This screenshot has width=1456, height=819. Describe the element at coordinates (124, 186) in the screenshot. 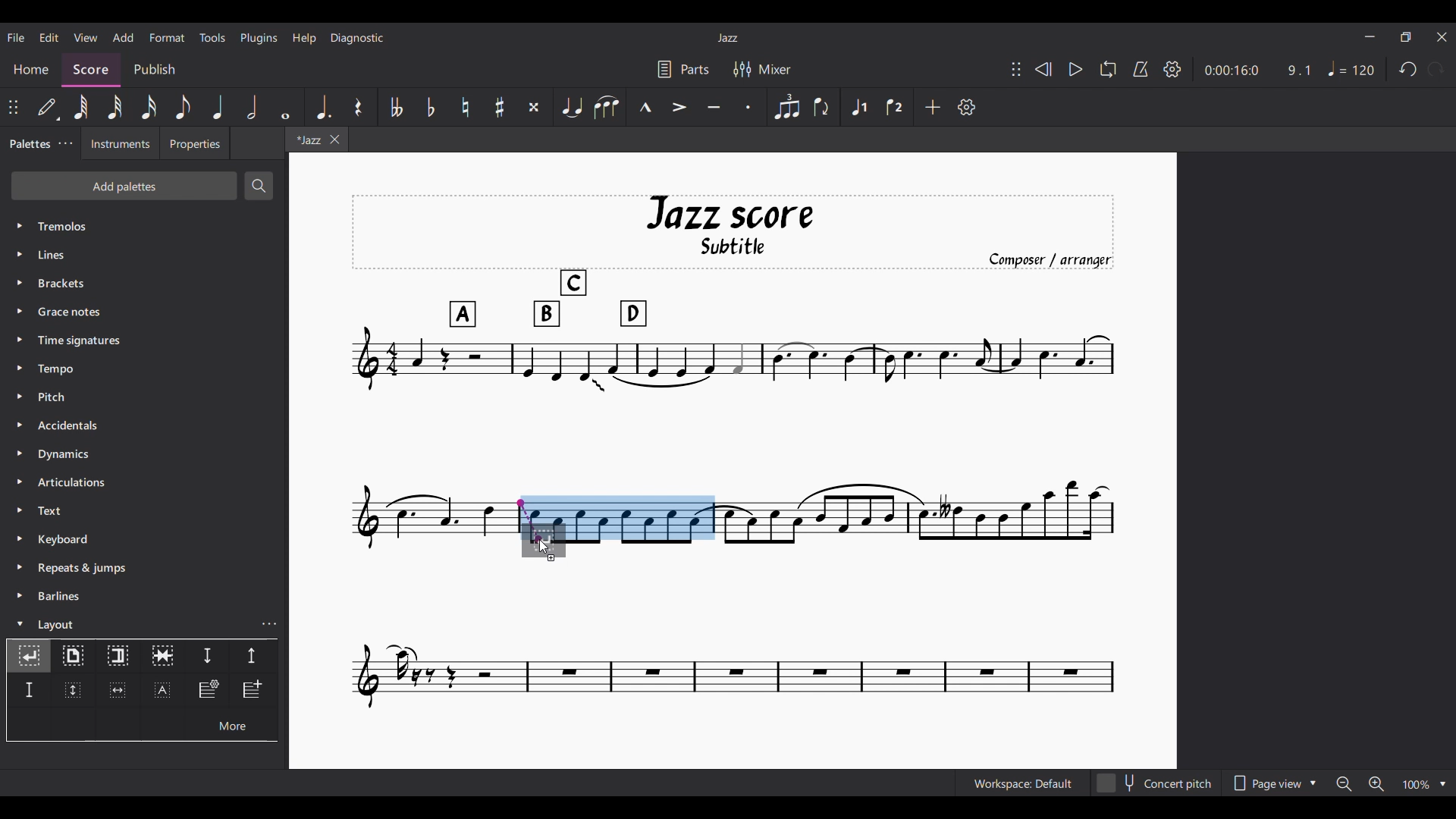

I see `Add palettes` at that location.